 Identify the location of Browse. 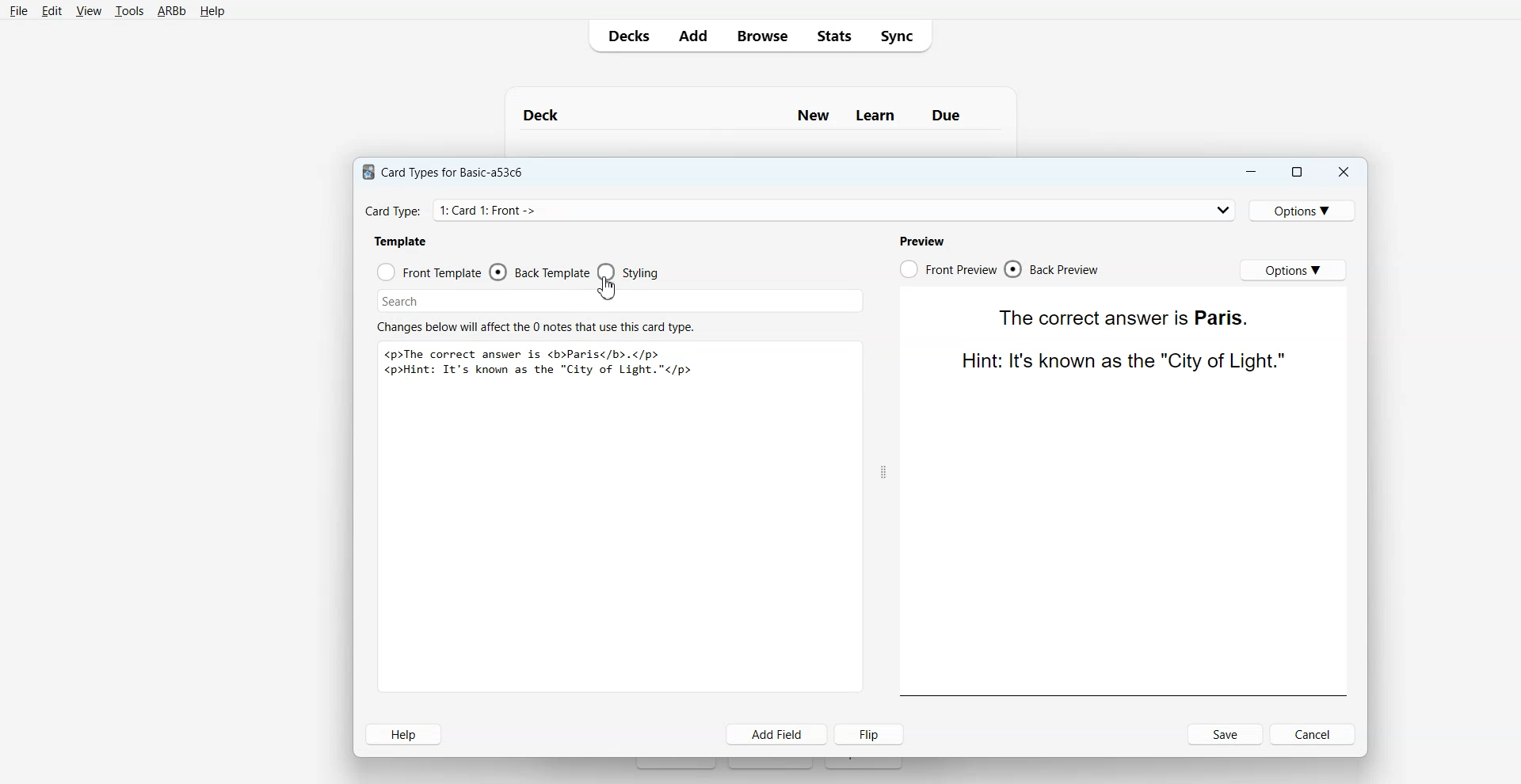
(761, 35).